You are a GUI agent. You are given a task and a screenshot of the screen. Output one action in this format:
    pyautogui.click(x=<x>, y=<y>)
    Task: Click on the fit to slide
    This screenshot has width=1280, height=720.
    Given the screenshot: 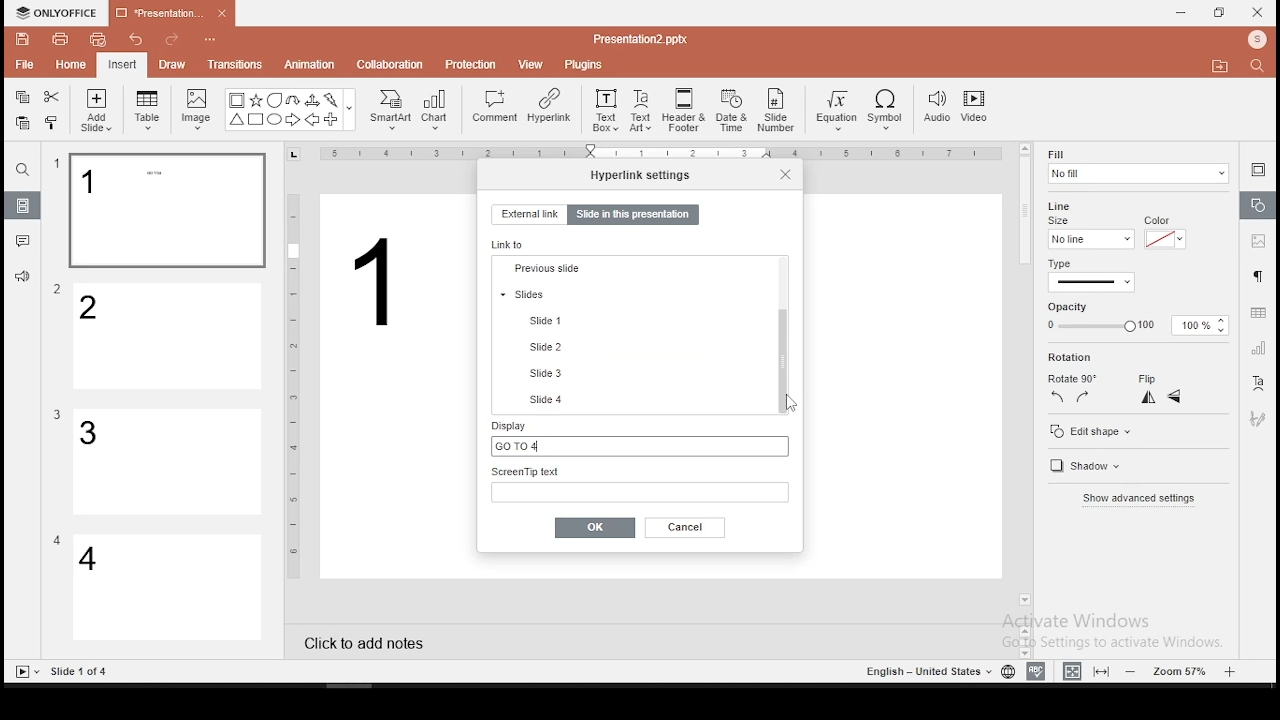 What is the action you would take?
    pyautogui.click(x=1104, y=670)
    